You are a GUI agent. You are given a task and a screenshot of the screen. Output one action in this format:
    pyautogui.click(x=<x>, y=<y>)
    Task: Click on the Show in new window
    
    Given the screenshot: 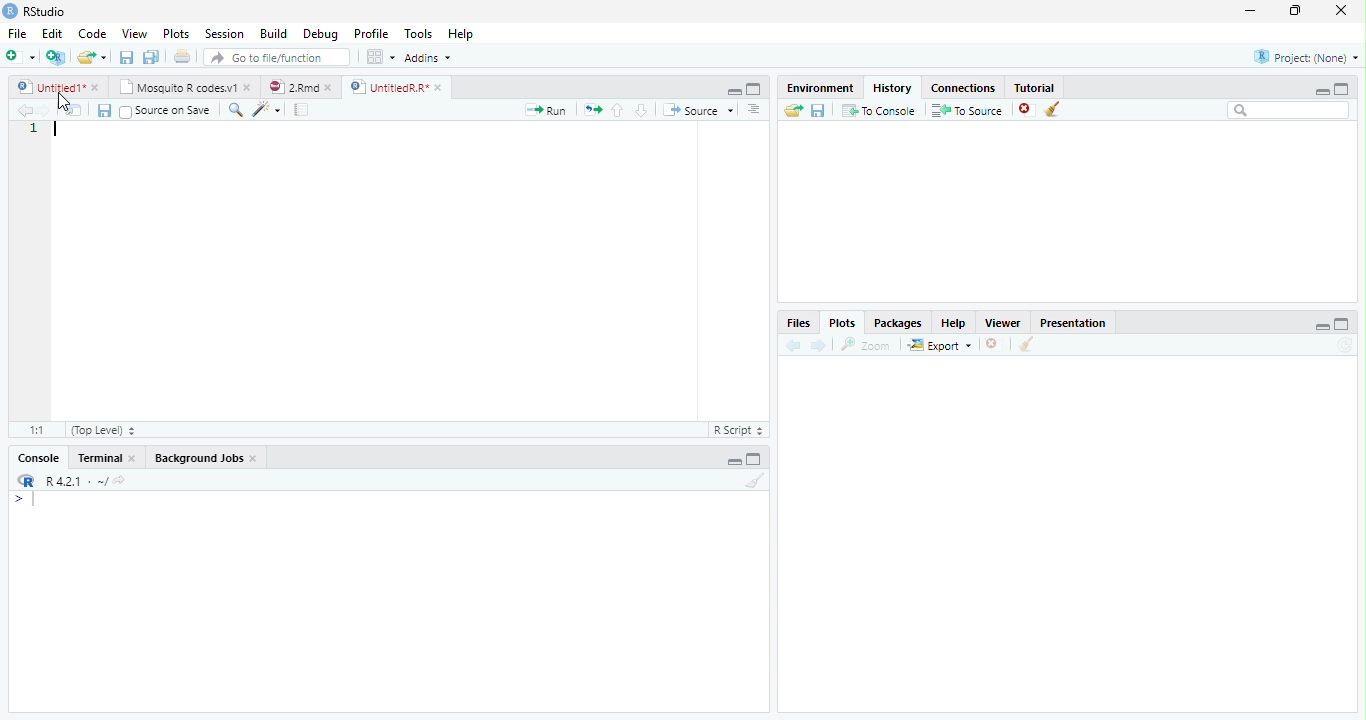 What is the action you would take?
    pyautogui.click(x=74, y=109)
    